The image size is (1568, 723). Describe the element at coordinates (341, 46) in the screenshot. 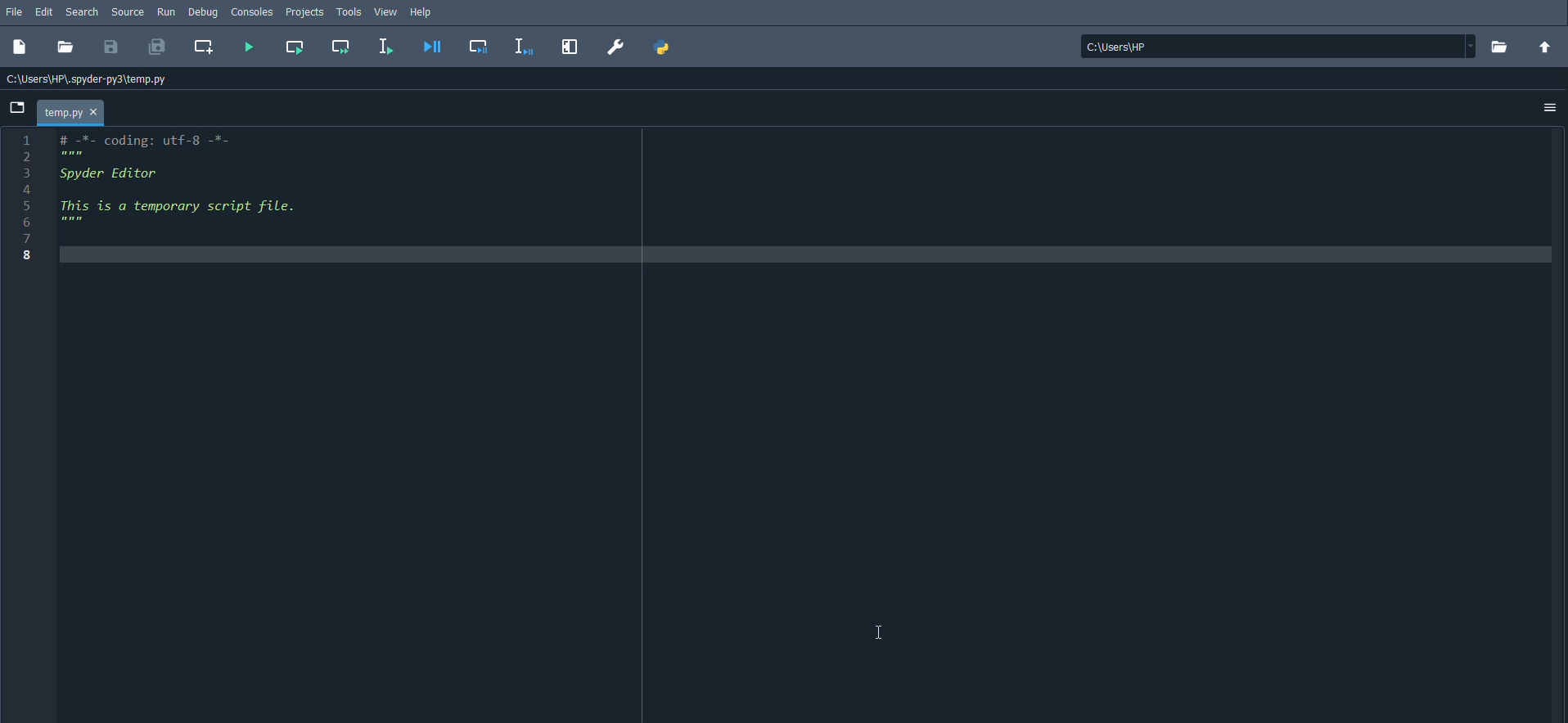

I see `Run current cell and go to the next one` at that location.